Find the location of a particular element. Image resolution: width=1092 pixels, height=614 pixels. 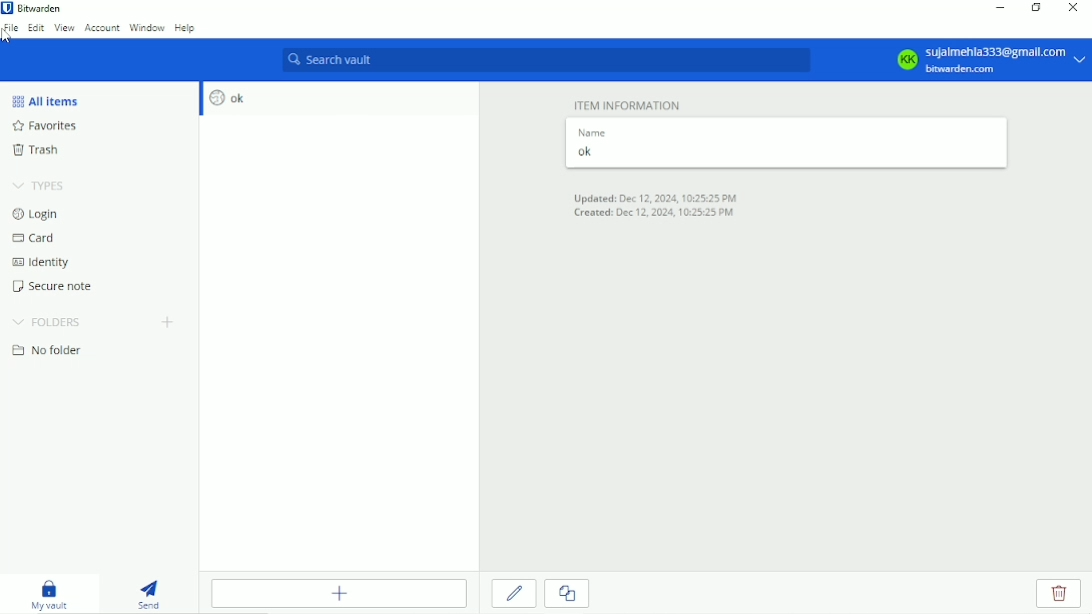

Edit is located at coordinates (515, 593).